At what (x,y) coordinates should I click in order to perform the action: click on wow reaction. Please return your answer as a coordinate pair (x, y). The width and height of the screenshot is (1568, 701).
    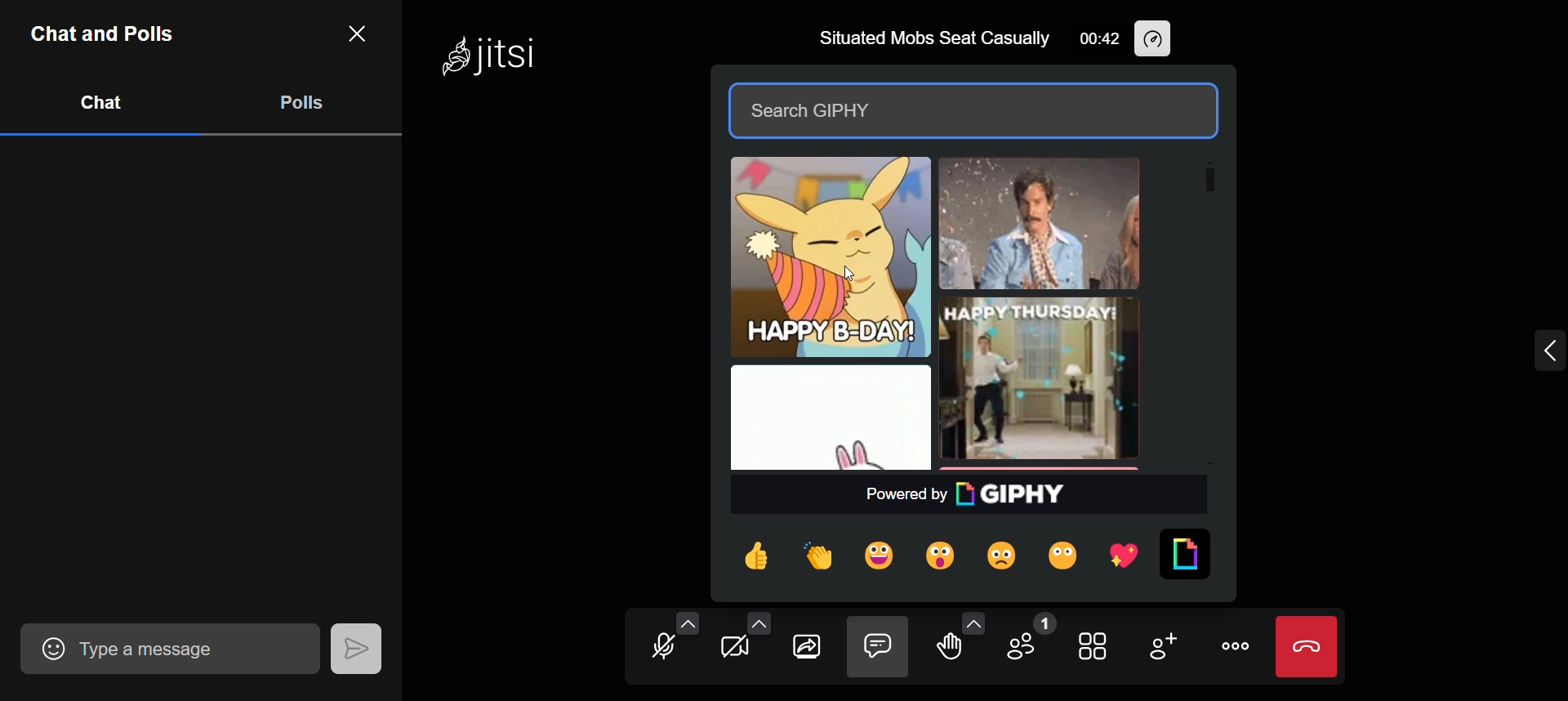
    Looking at the image, I should click on (936, 555).